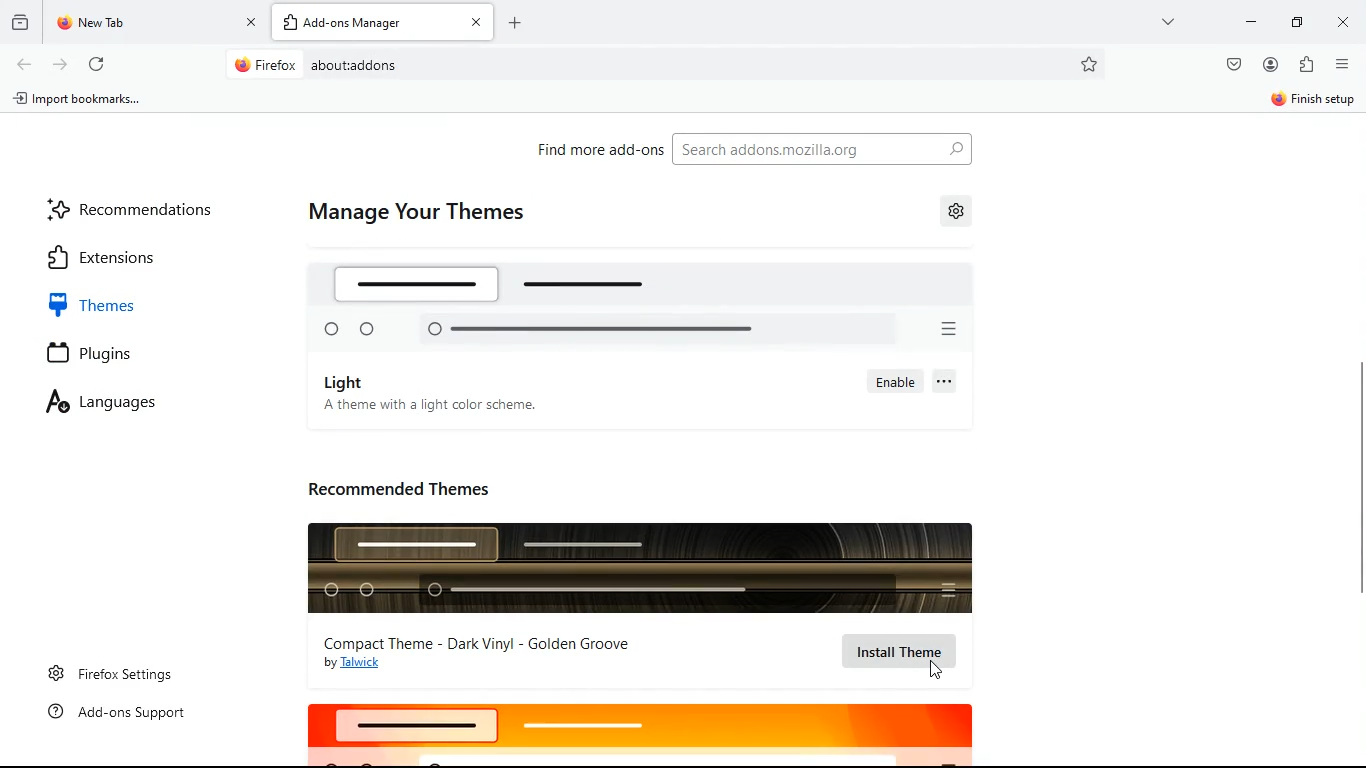 The height and width of the screenshot is (768, 1366). What do you see at coordinates (428, 405) in the screenshot?
I see `A theme with a light color scheme` at bounding box center [428, 405].